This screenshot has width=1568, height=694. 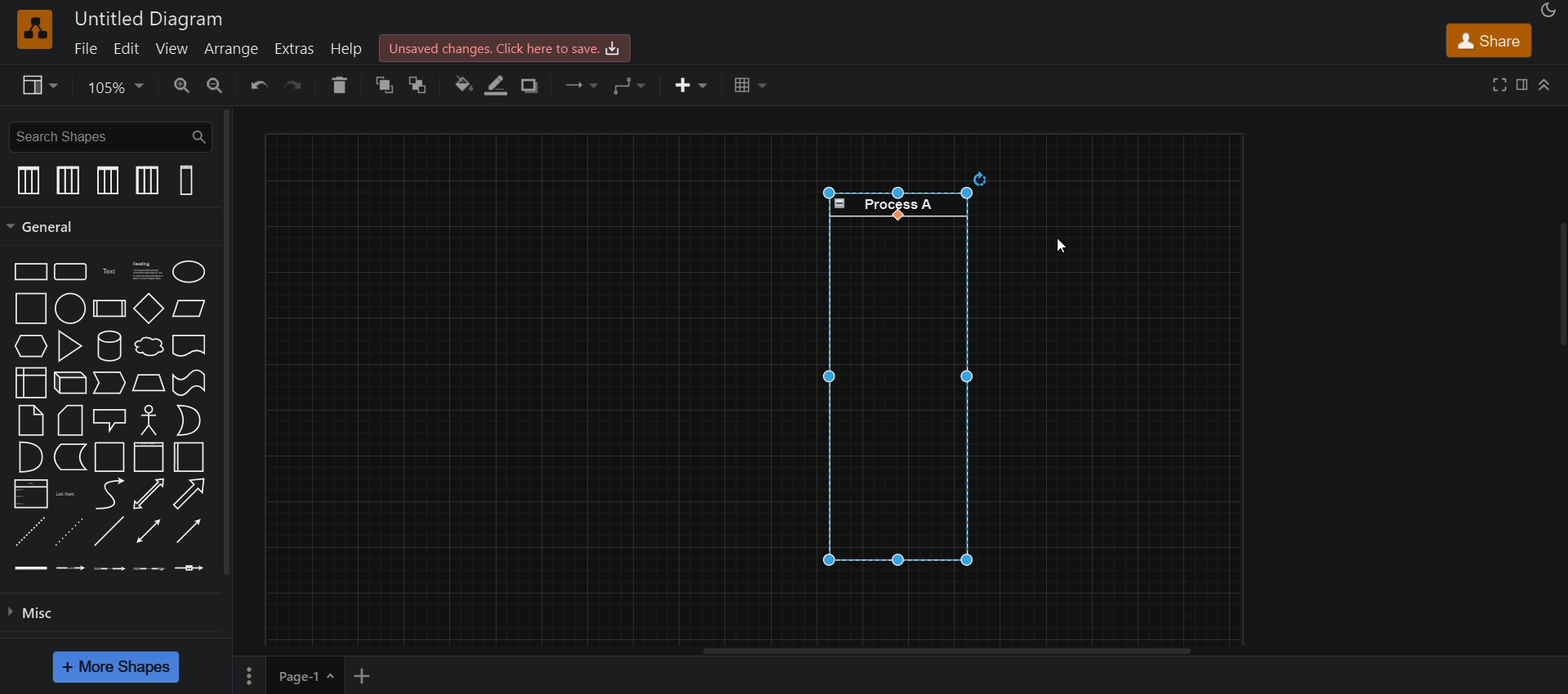 What do you see at coordinates (109, 383) in the screenshot?
I see `step` at bounding box center [109, 383].